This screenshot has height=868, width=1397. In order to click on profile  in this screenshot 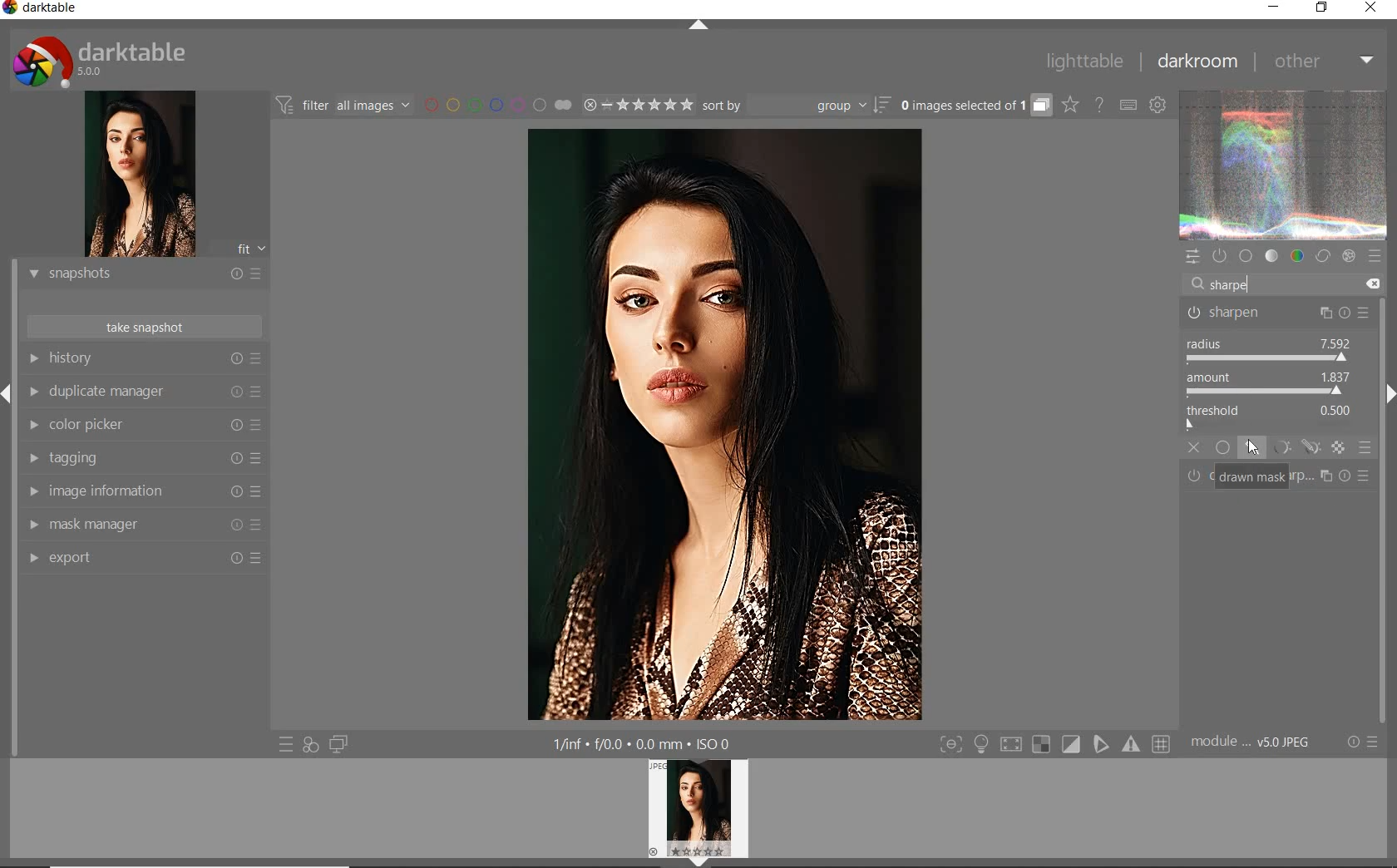, I will do `click(708, 810)`.